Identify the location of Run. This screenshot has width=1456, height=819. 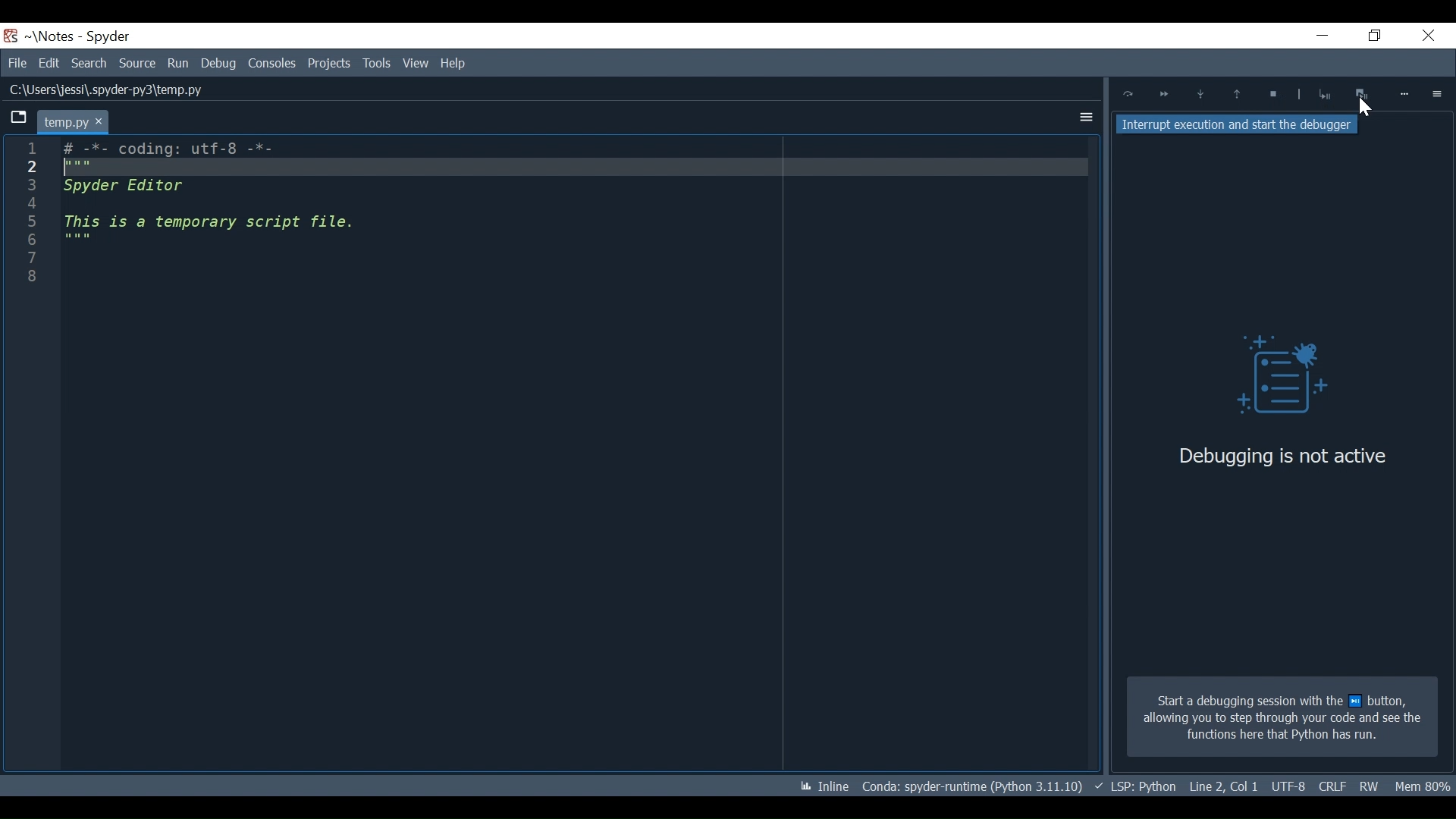
(179, 63).